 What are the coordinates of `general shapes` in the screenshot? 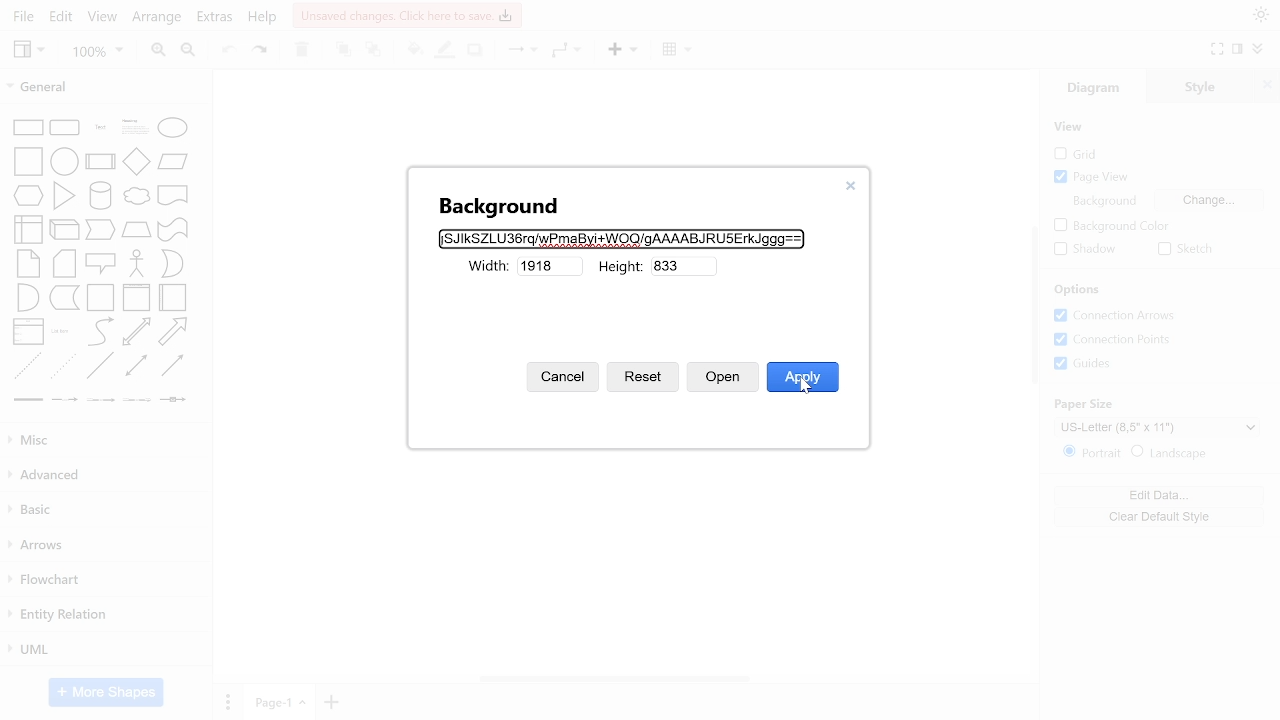 It's located at (27, 195).